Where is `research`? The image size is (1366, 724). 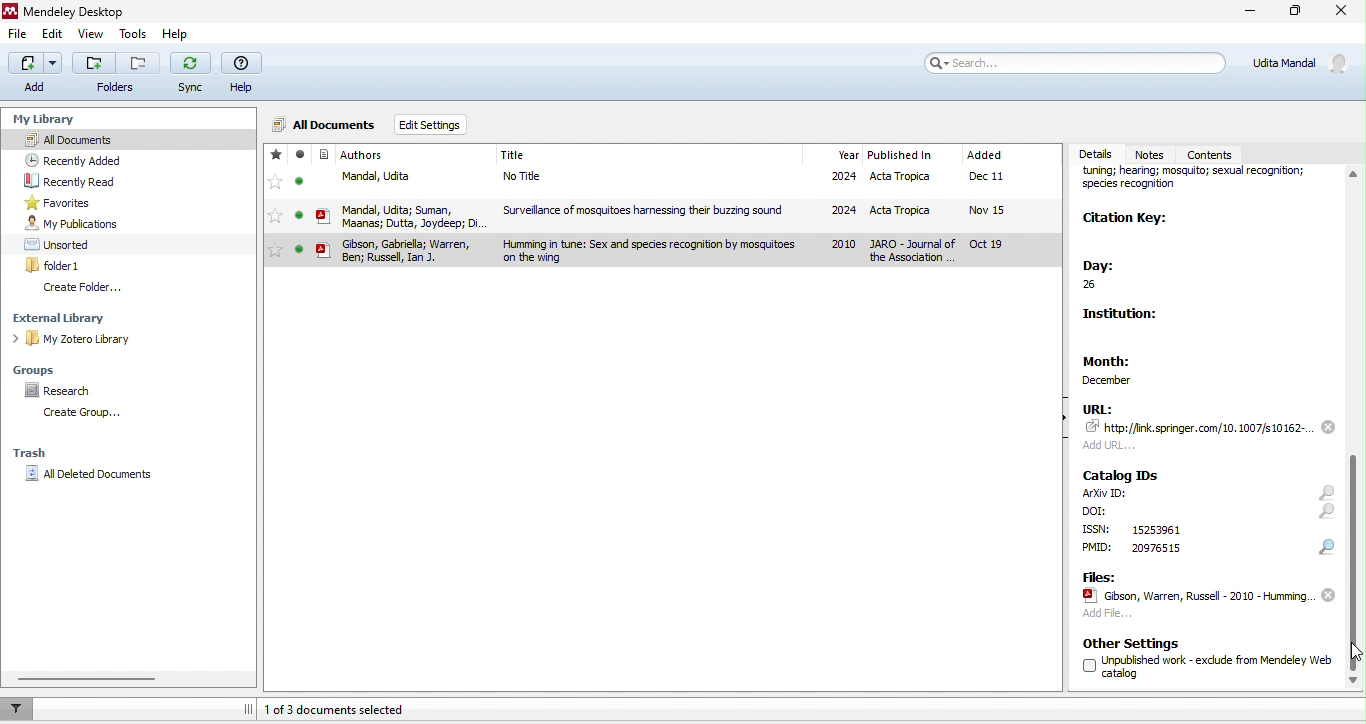 research is located at coordinates (63, 391).